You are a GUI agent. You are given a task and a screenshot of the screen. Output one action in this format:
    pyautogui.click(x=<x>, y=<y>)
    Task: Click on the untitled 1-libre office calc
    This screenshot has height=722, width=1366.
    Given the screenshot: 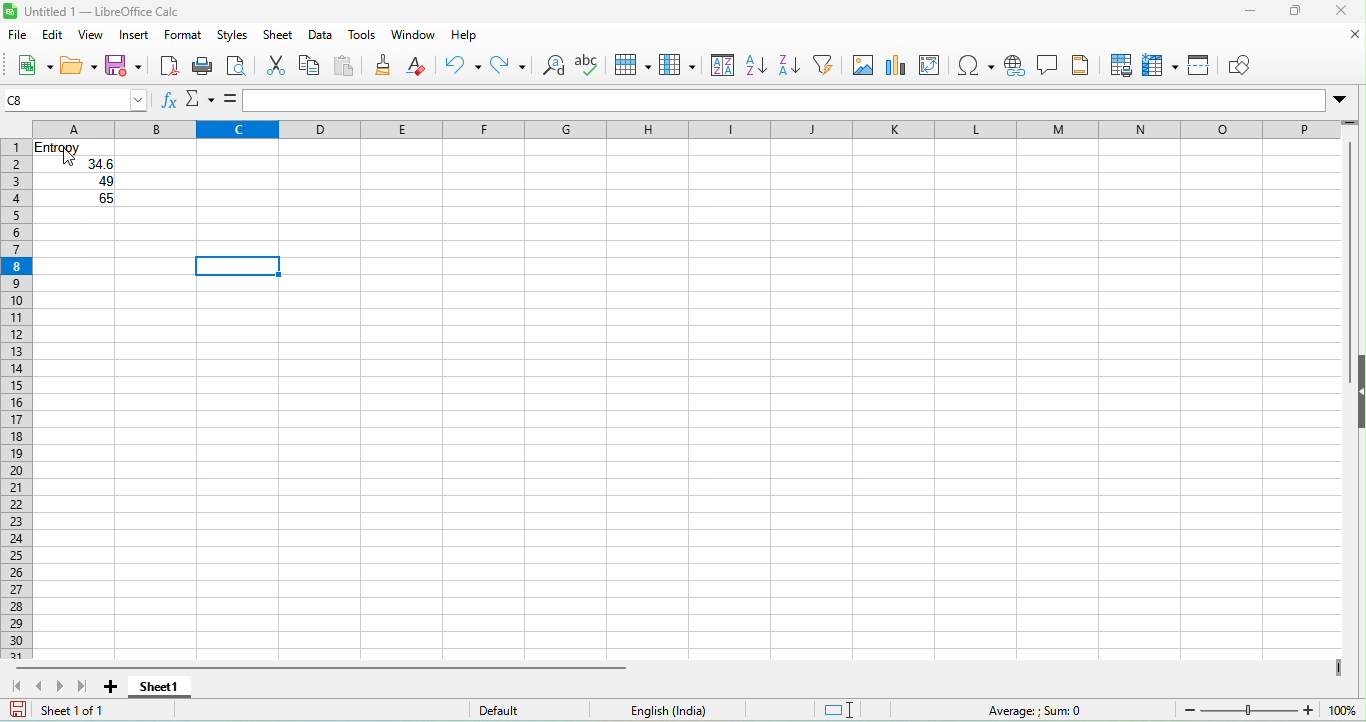 What is the action you would take?
    pyautogui.click(x=102, y=10)
    